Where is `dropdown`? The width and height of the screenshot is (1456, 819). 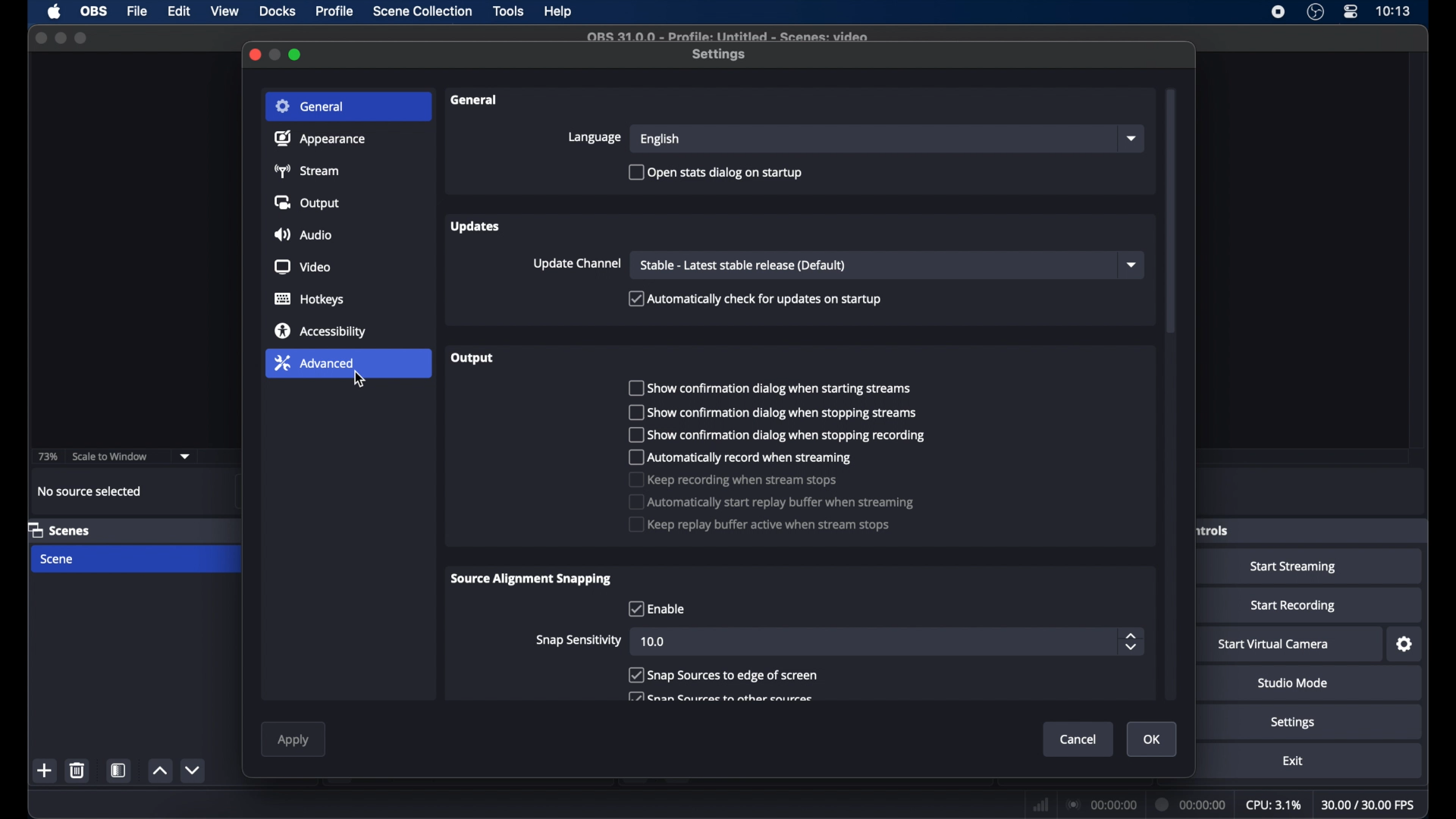 dropdown is located at coordinates (185, 457).